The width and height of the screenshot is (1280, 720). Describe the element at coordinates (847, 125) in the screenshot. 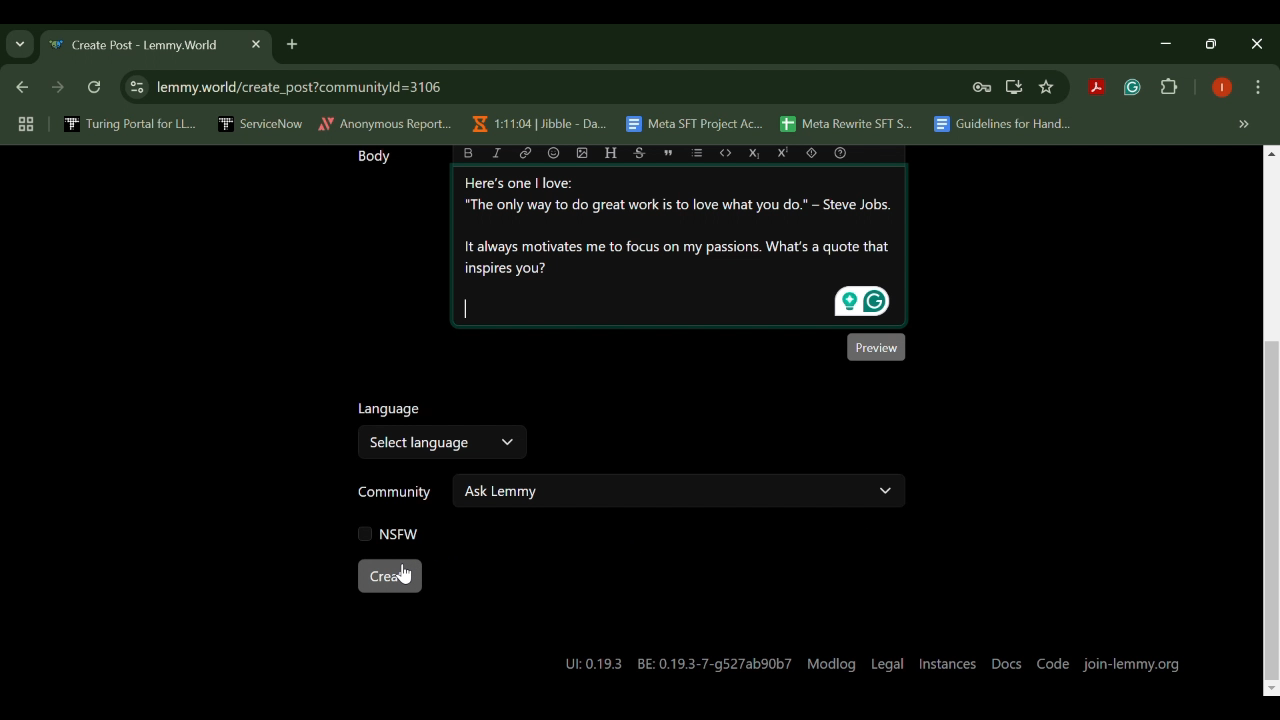

I see `Meta Rewrite SFT S...` at that location.